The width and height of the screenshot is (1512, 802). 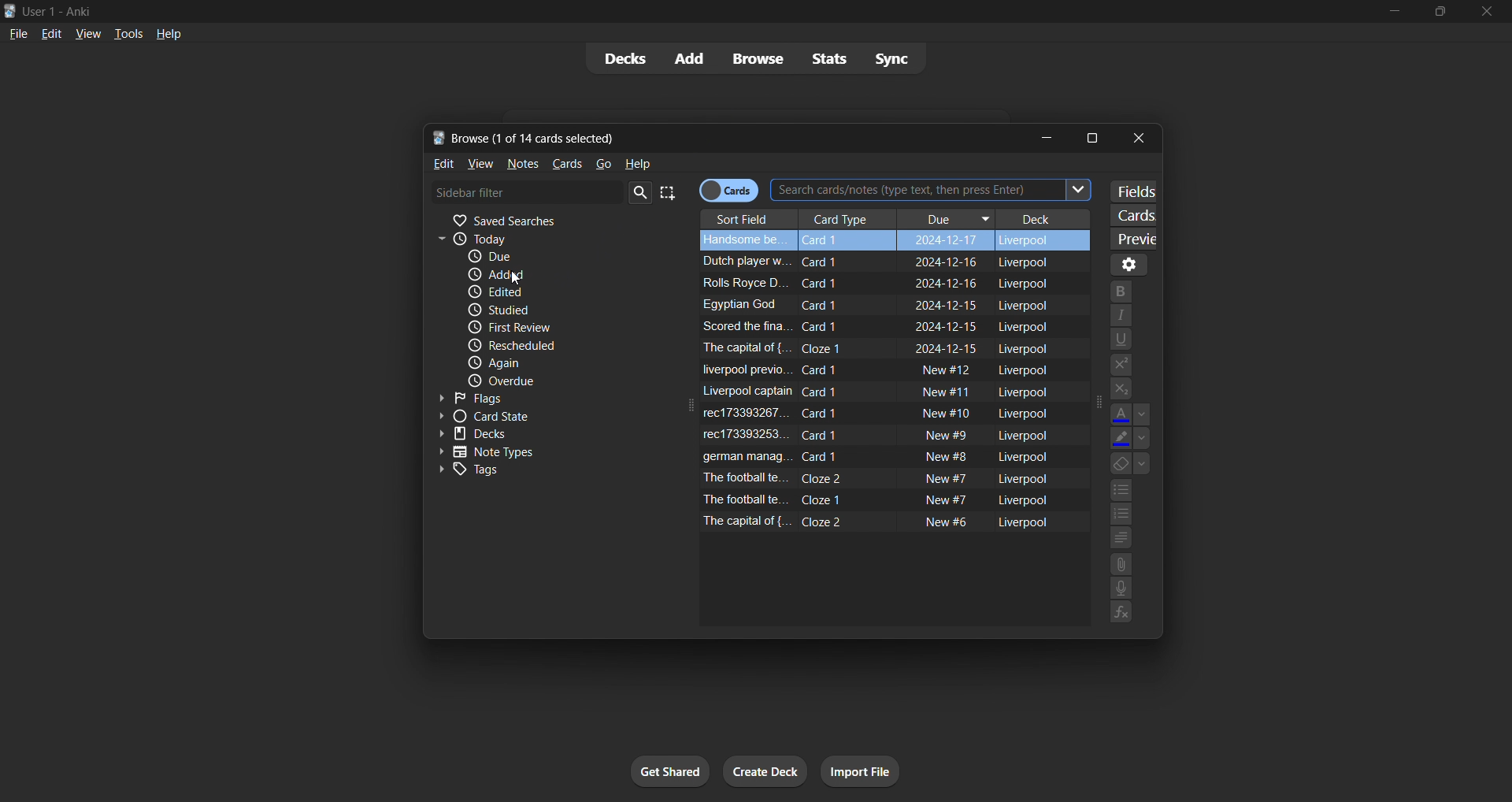 I want to click on close, so click(x=1488, y=14).